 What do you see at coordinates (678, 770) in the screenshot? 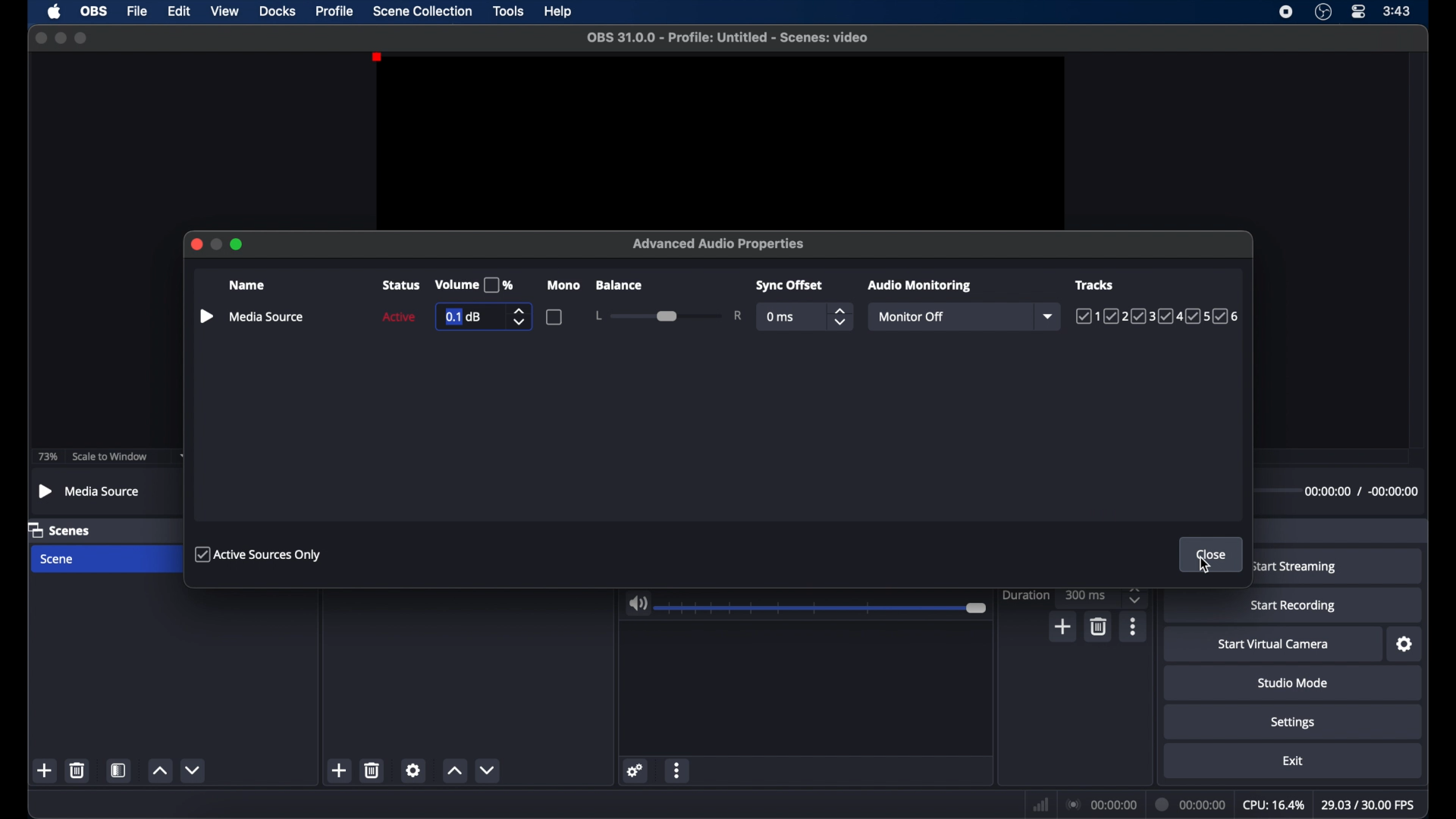
I see `more options` at bounding box center [678, 770].